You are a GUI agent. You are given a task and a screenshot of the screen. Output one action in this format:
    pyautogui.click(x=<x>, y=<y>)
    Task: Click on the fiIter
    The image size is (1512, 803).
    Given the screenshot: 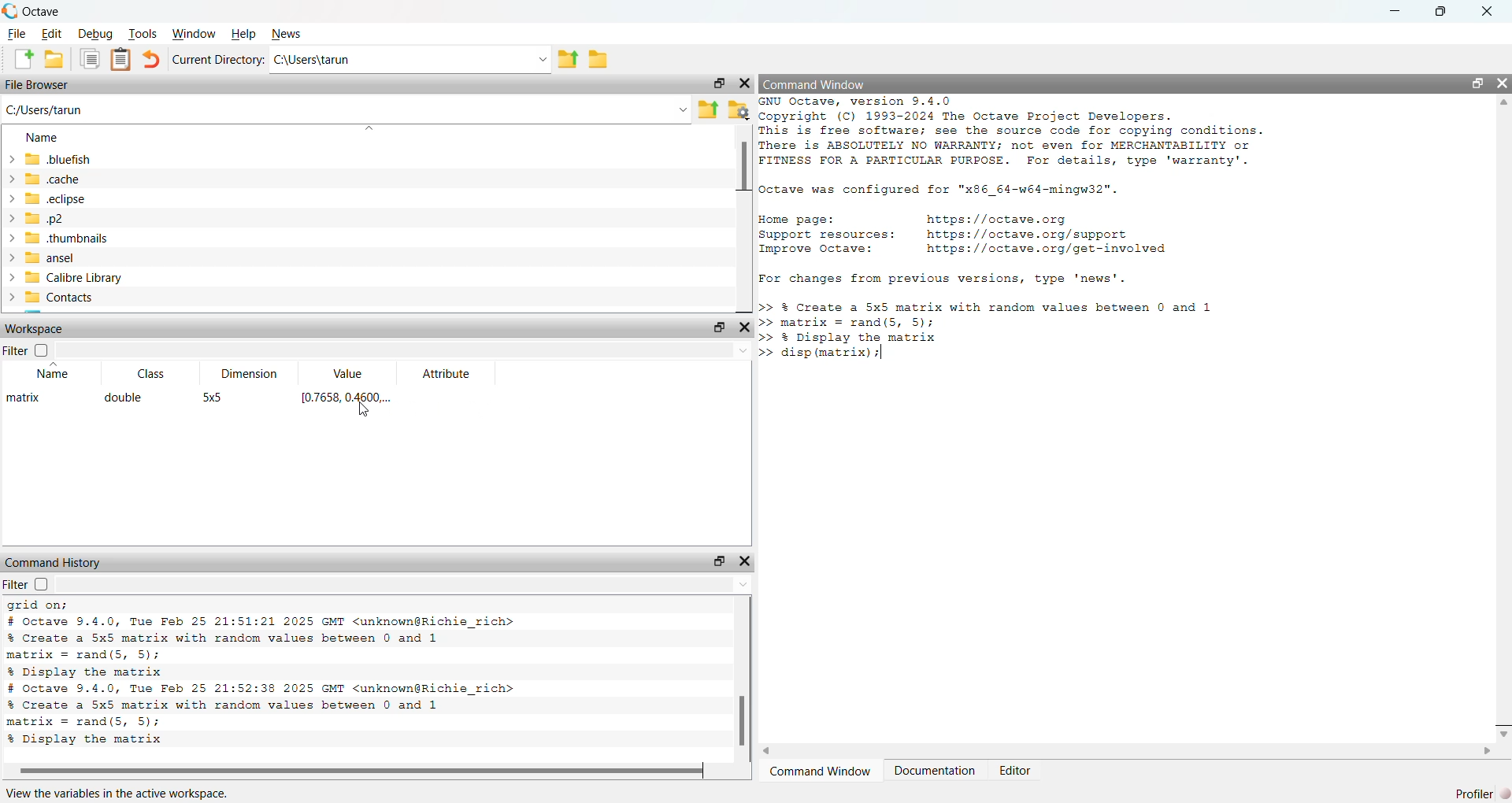 What is the action you would take?
    pyautogui.click(x=36, y=584)
    